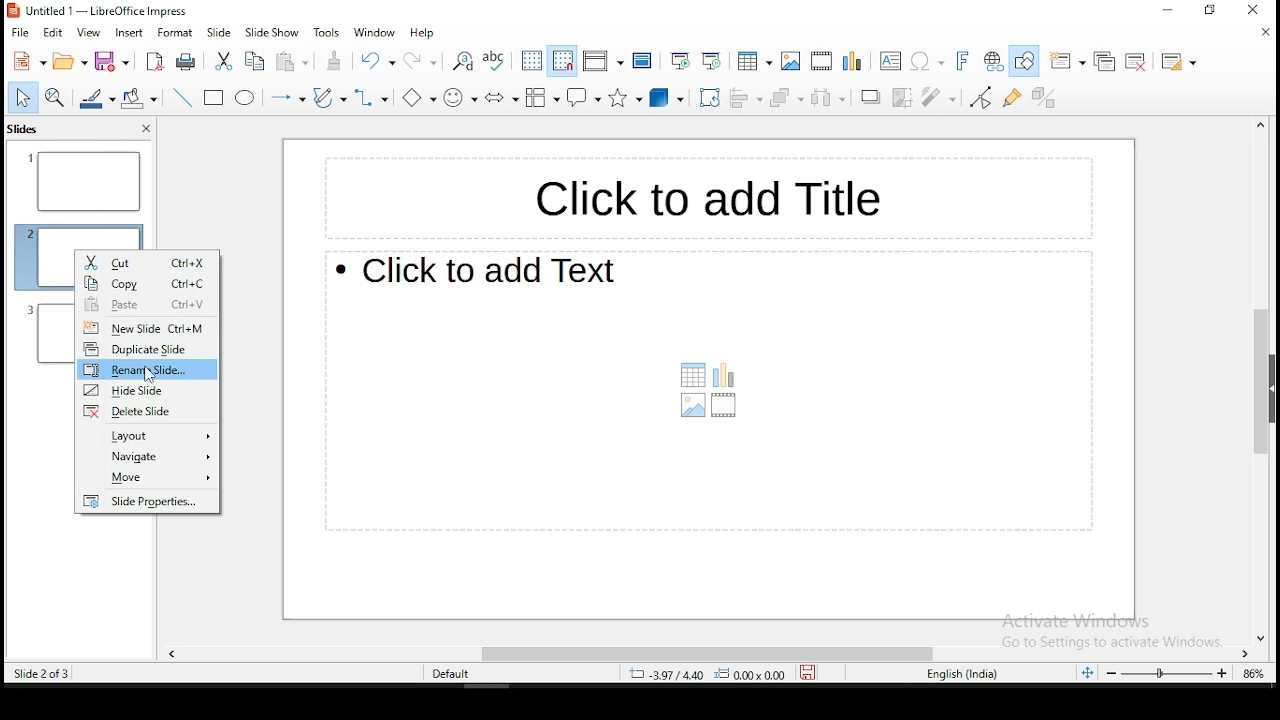  What do you see at coordinates (1253, 672) in the screenshot?
I see `zoom level` at bounding box center [1253, 672].